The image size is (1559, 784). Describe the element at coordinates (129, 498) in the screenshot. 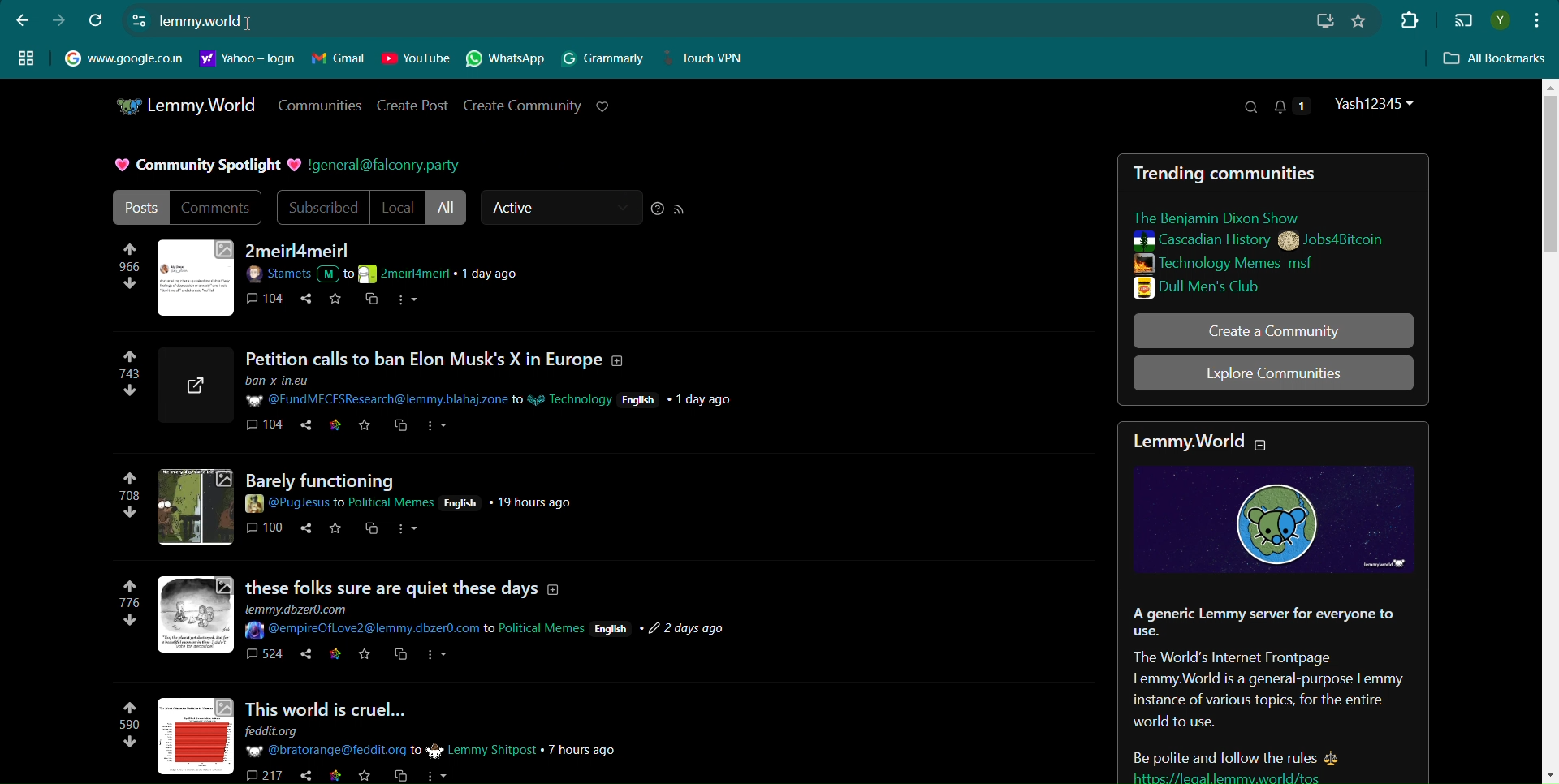

I see `708` at that location.